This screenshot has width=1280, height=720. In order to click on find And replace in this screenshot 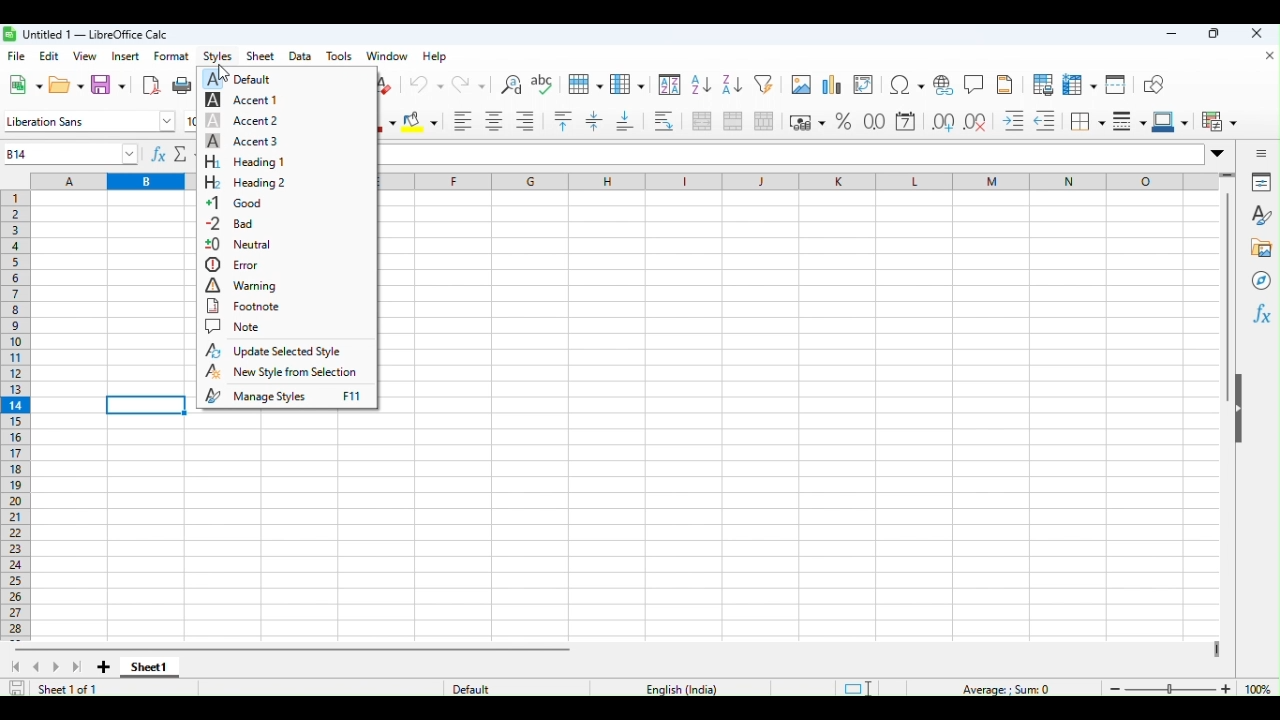, I will do `click(511, 82)`.